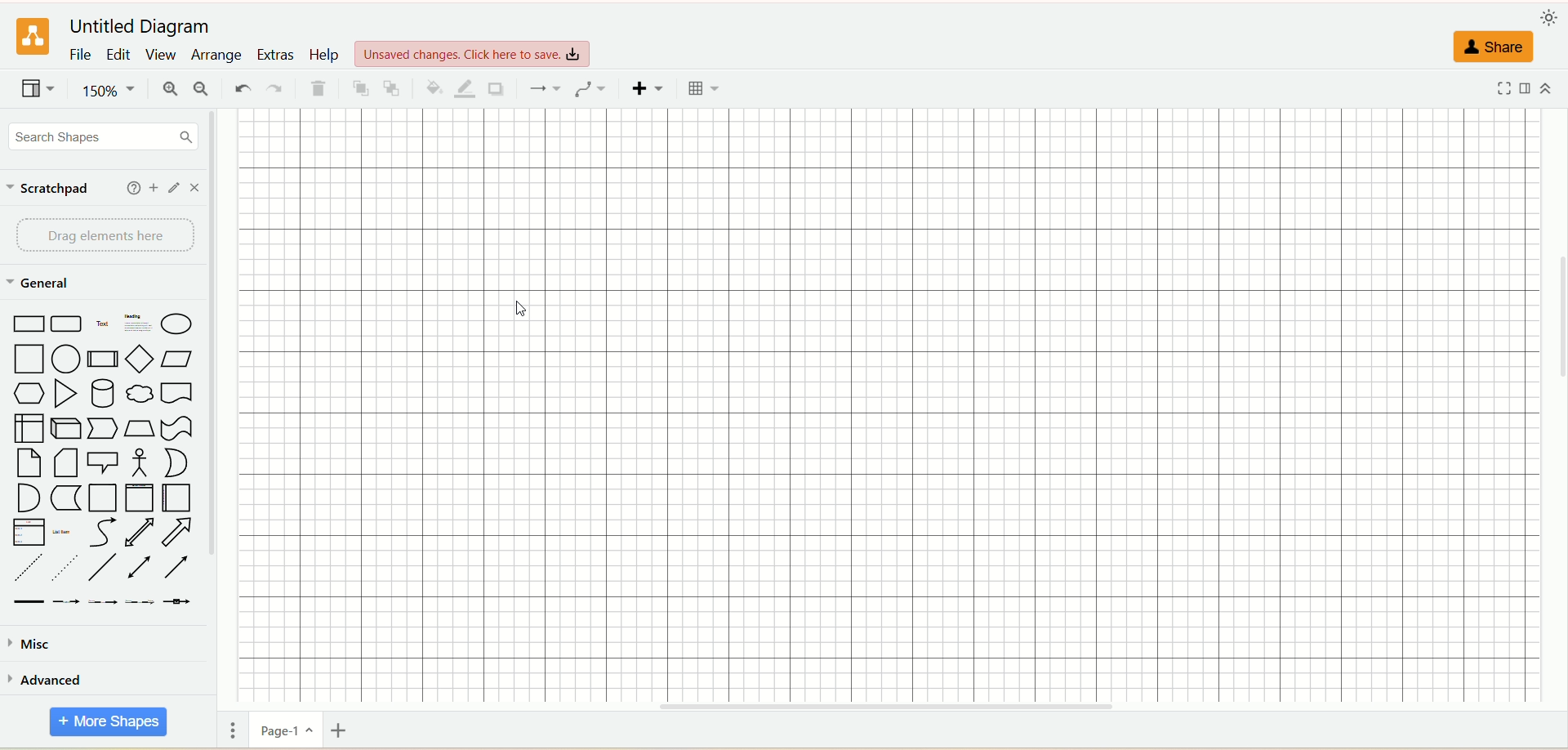 This screenshot has height=750, width=1568. Describe the element at coordinates (104, 136) in the screenshot. I see `search shapes` at that location.